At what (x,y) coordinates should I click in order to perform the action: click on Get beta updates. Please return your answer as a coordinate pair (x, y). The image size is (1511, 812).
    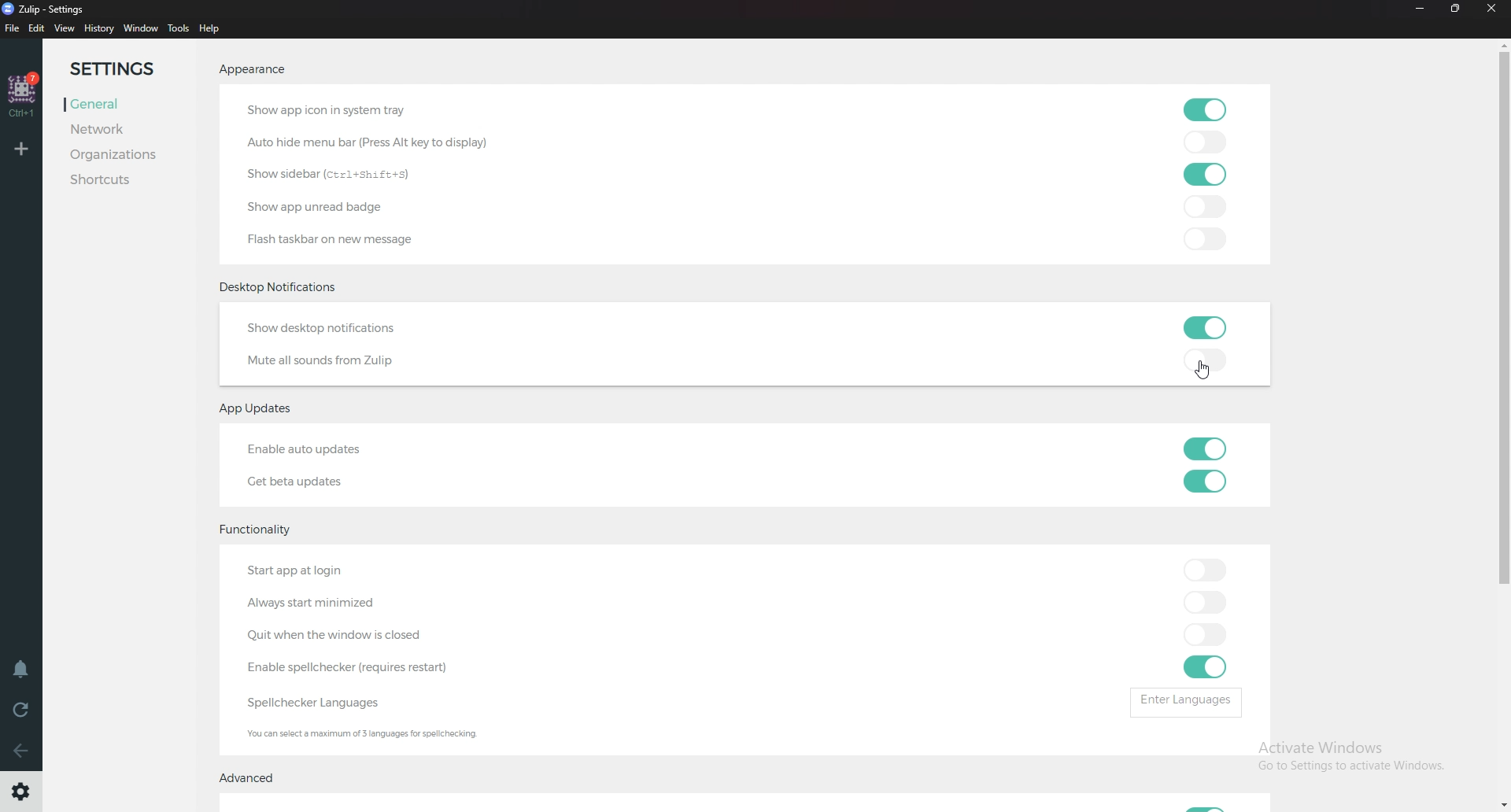
    Looking at the image, I should click on (299, 482).